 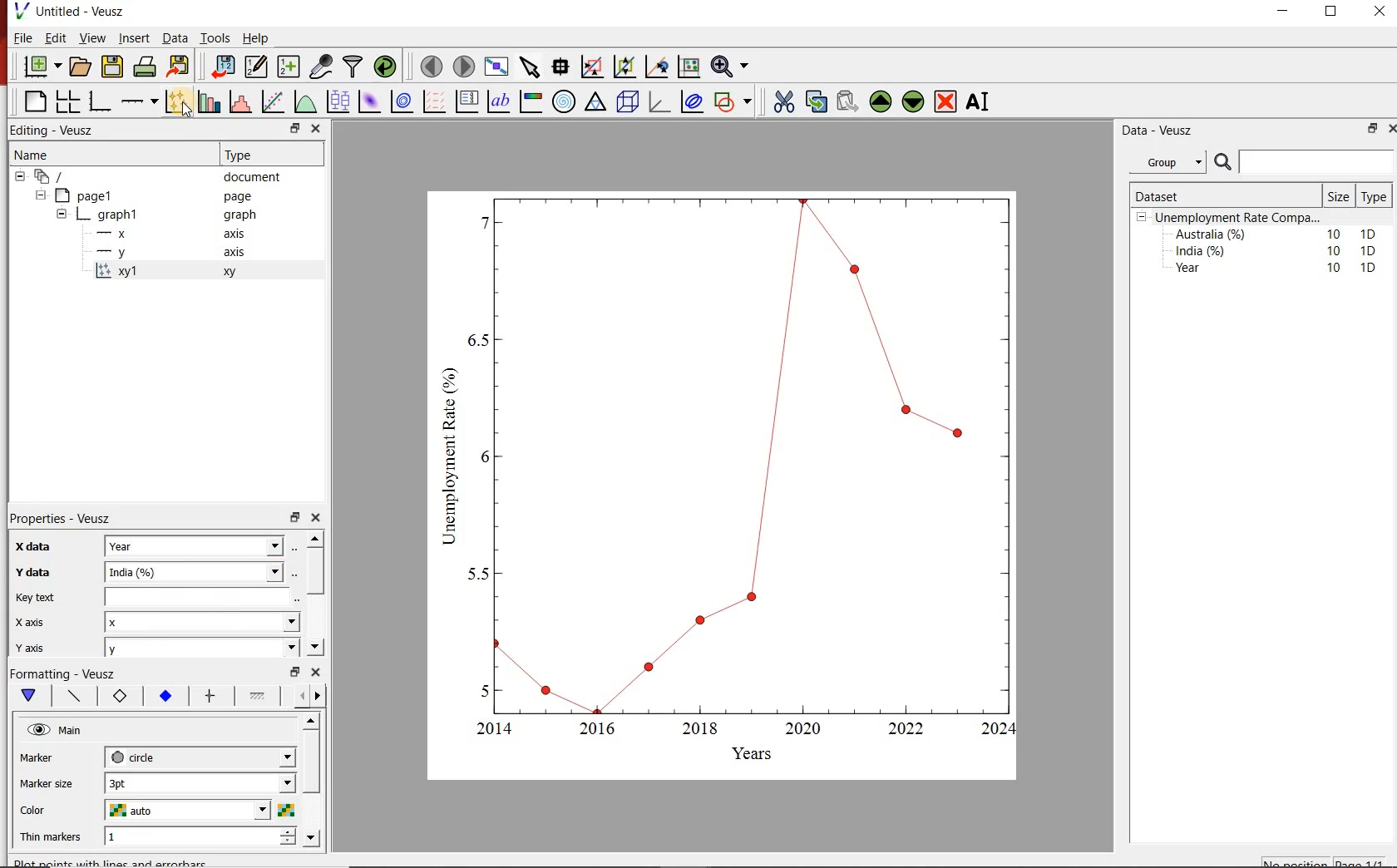 What do you see at coordinates (658, 66) in the screenshot?
I see `click to recenter graph axes` at bounding box center [658, 66].